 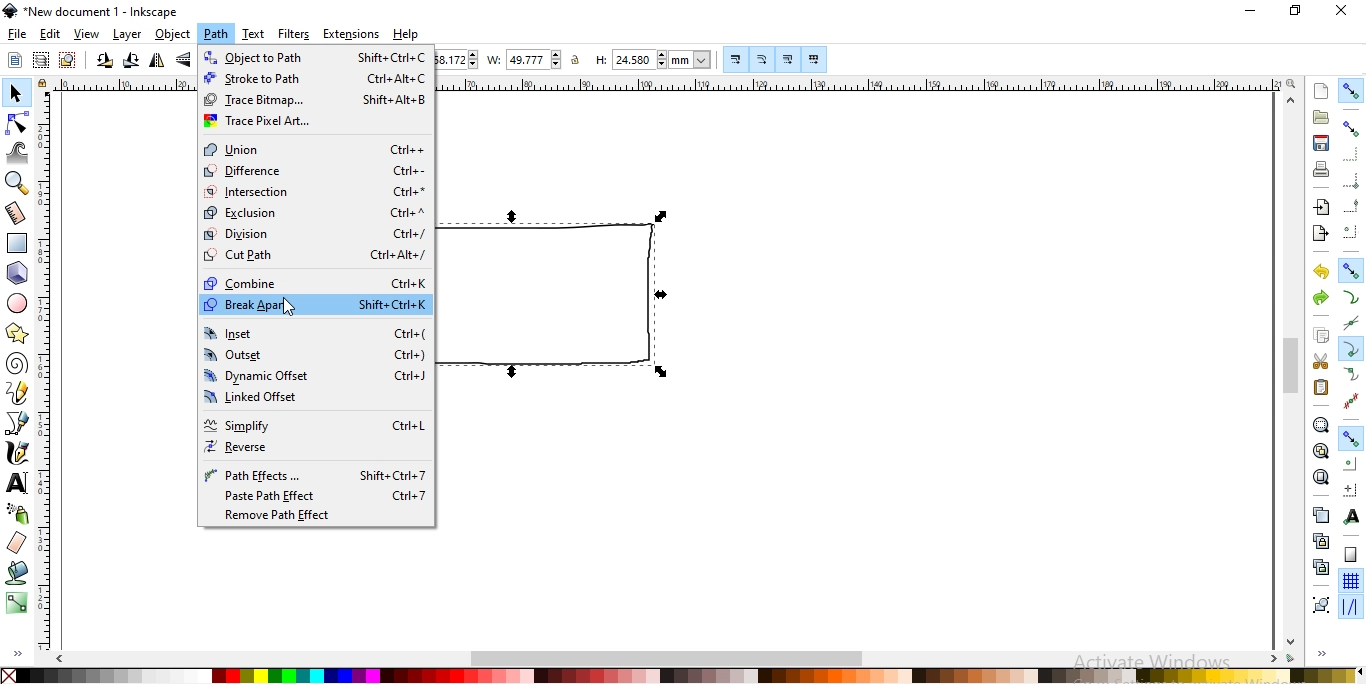 What do you see at coordinates (1351, 401) in the screenshot?
I see `` at bounding box center [1351, 401].